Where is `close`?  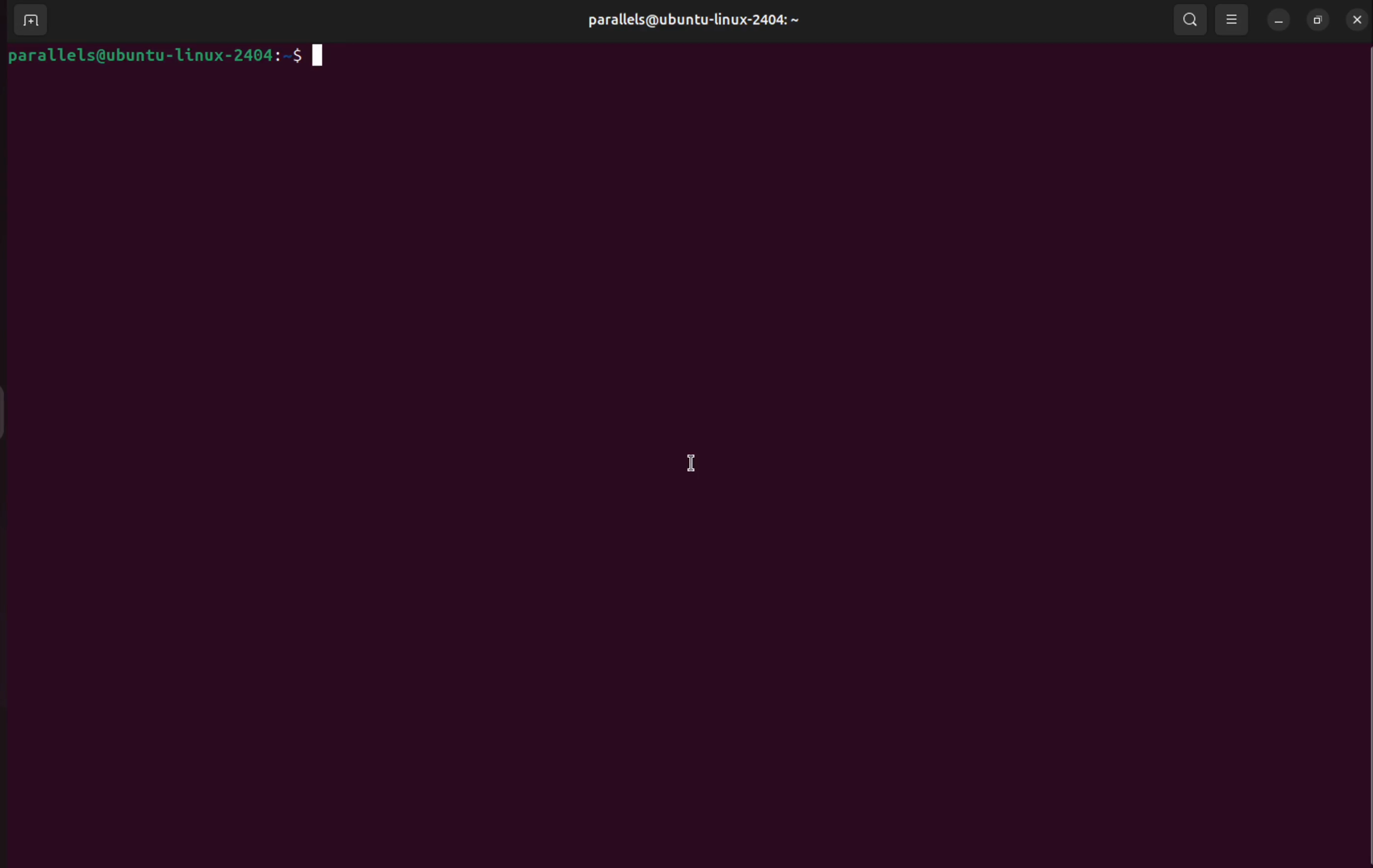 close is located at coordinates (1354, 18).